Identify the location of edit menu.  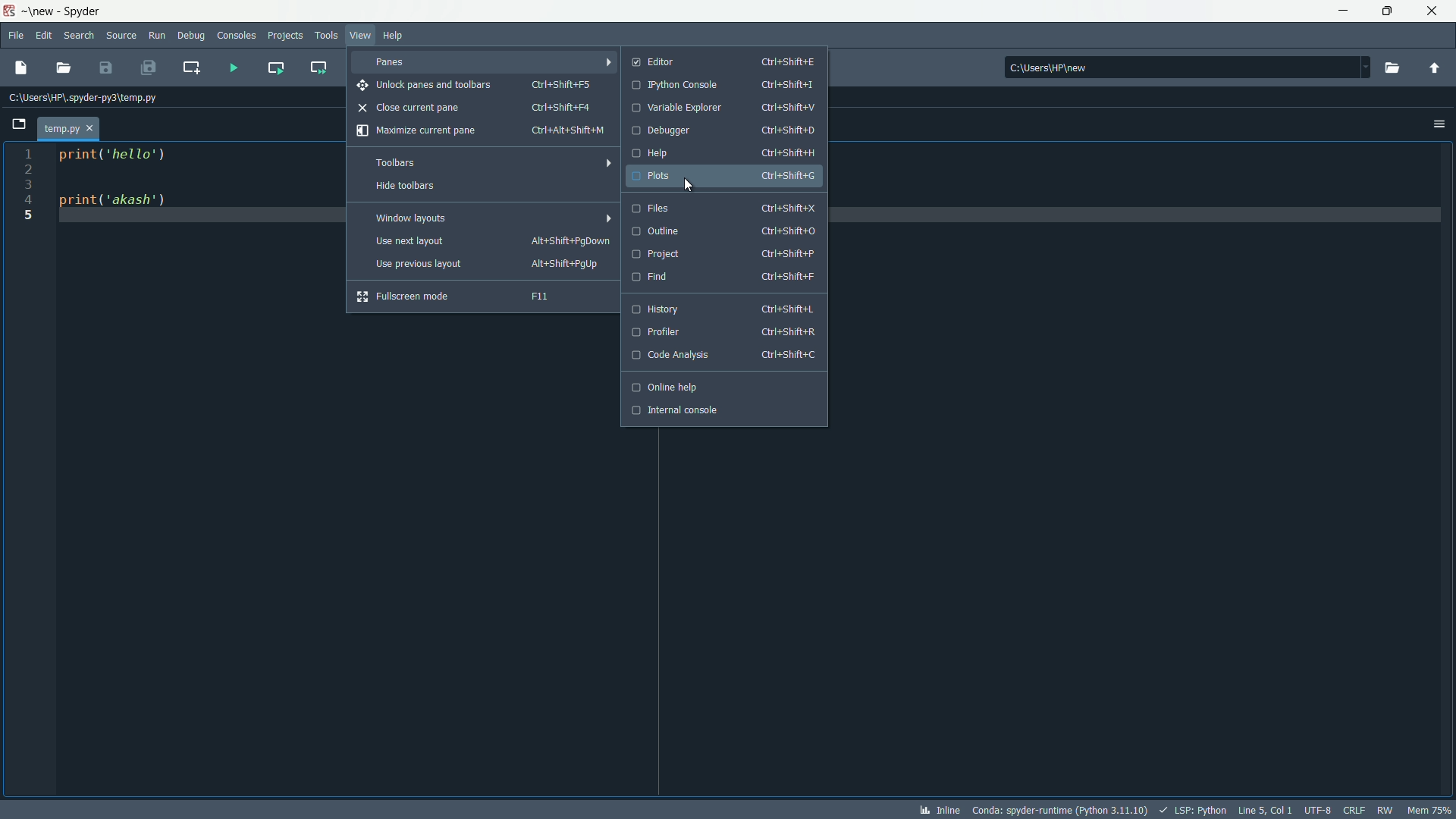
(45, 36).